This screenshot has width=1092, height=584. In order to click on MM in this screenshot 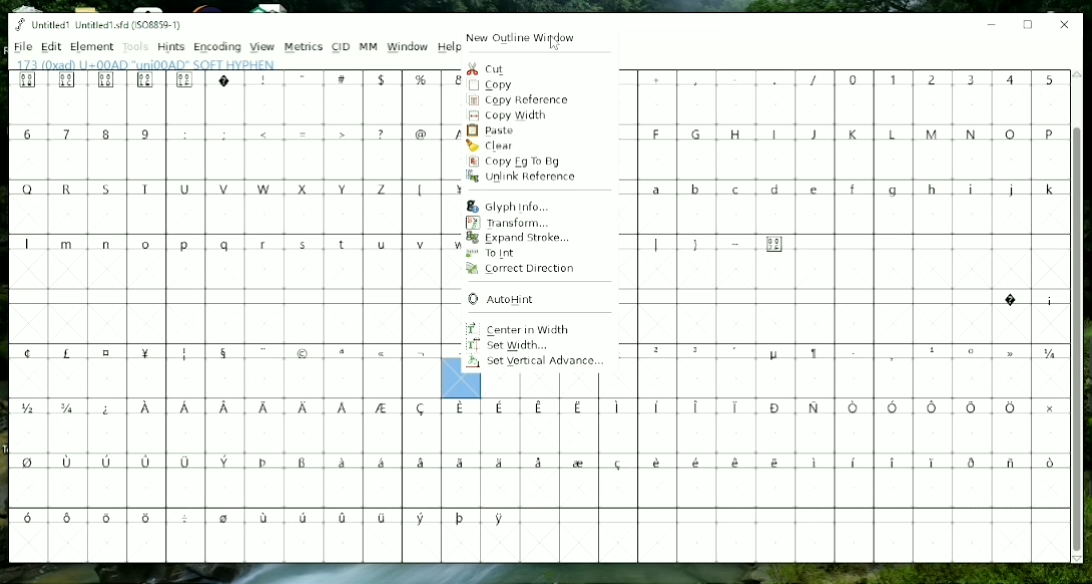, I will do `click(368, 46)`.